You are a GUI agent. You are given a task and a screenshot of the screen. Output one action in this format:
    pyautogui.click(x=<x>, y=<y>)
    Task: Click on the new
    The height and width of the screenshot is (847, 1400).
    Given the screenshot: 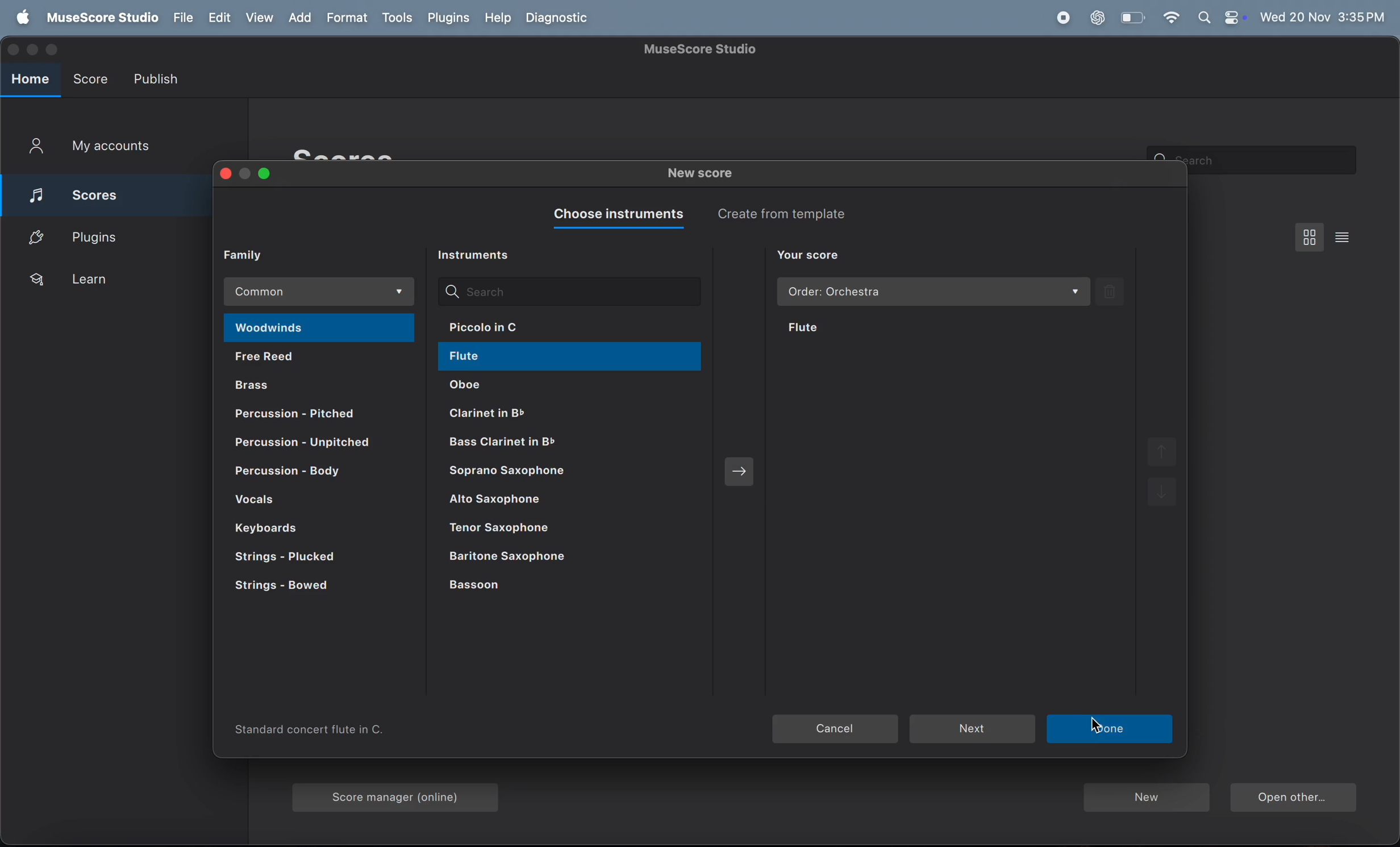 What is the action you would take?
    pyautogui.click(x=1145, y=799)
    